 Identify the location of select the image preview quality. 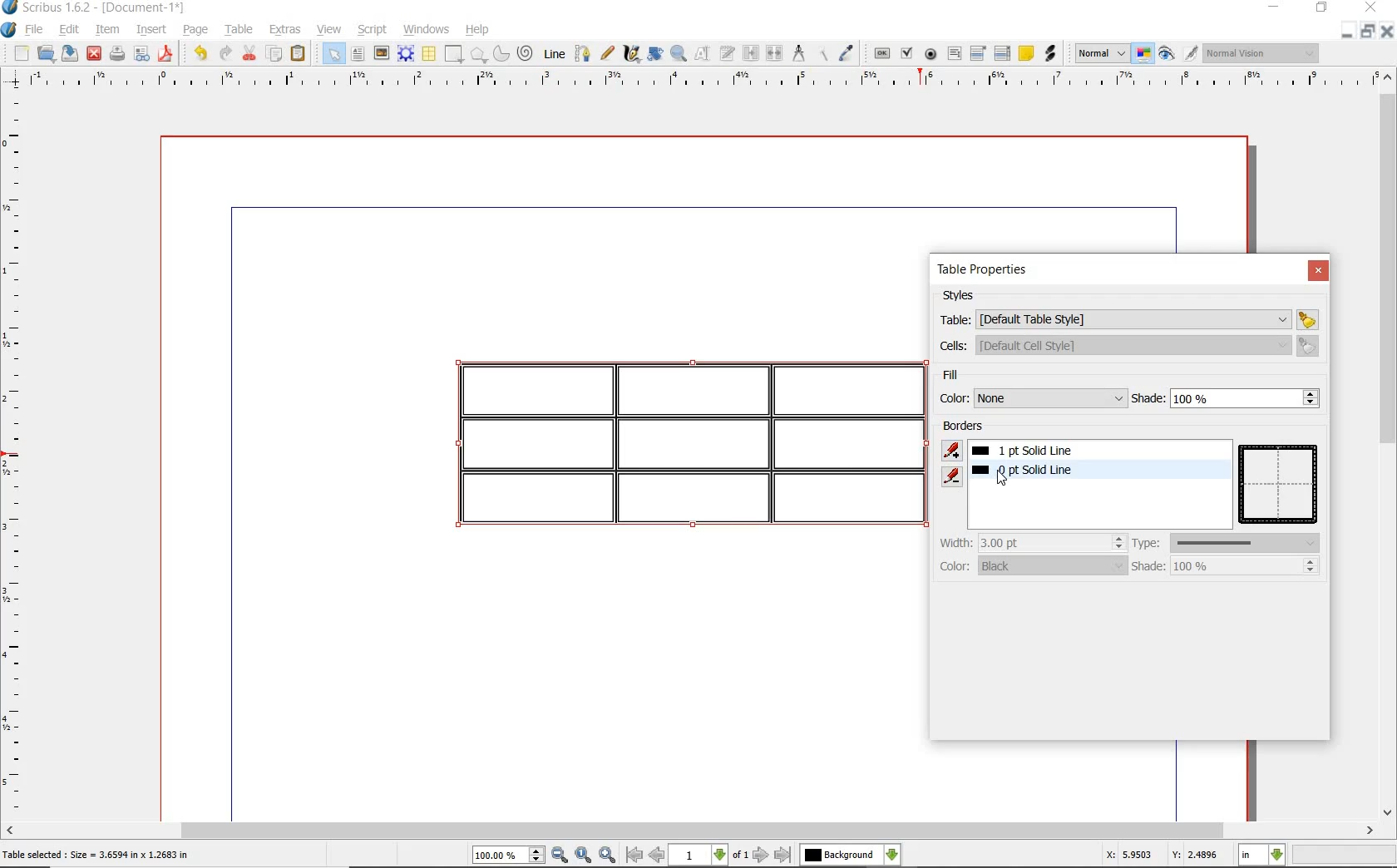
(1097, 53).